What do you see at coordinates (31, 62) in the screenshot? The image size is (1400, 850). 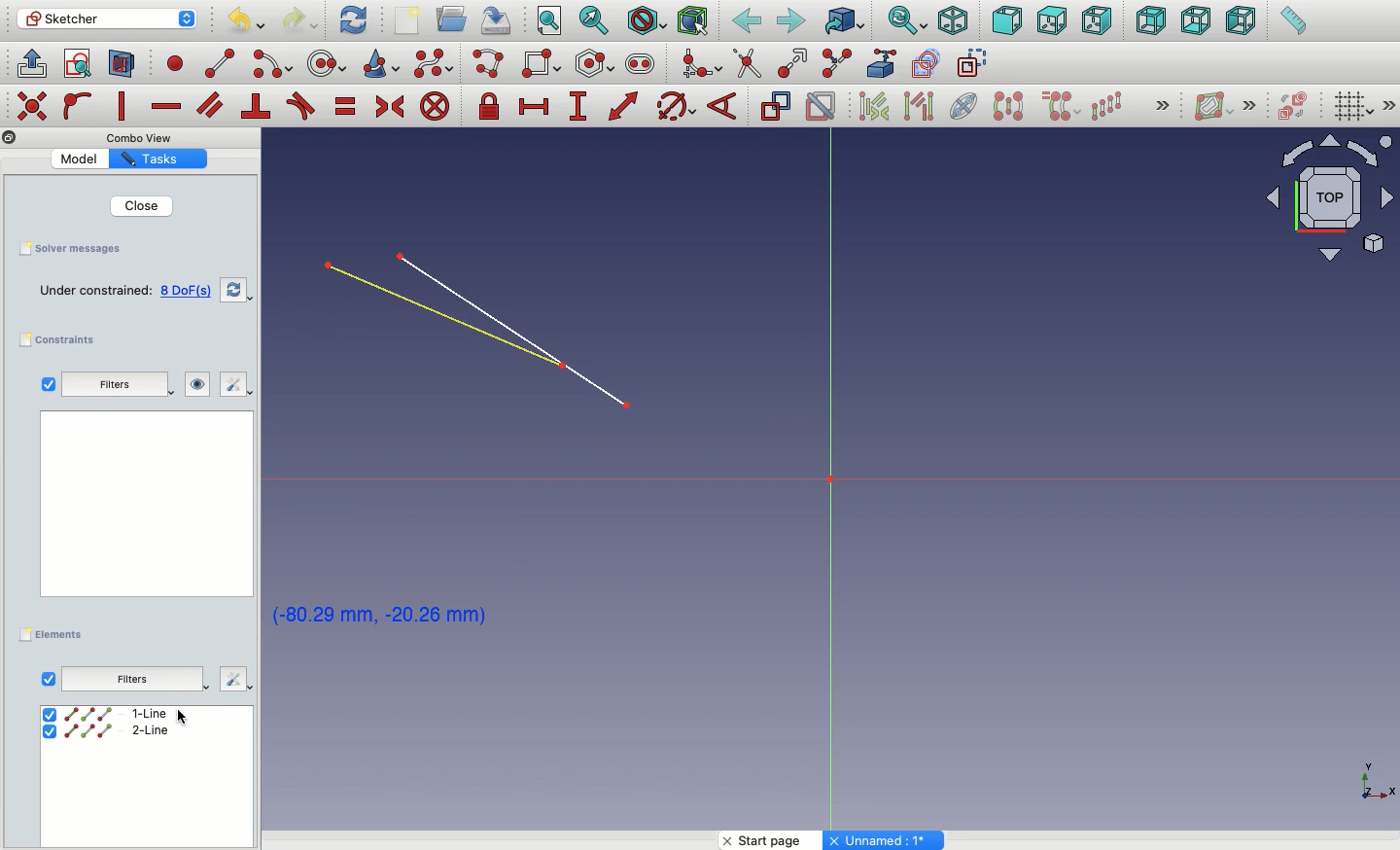 I see `Leave sketch` at bounding box center [31, 62].